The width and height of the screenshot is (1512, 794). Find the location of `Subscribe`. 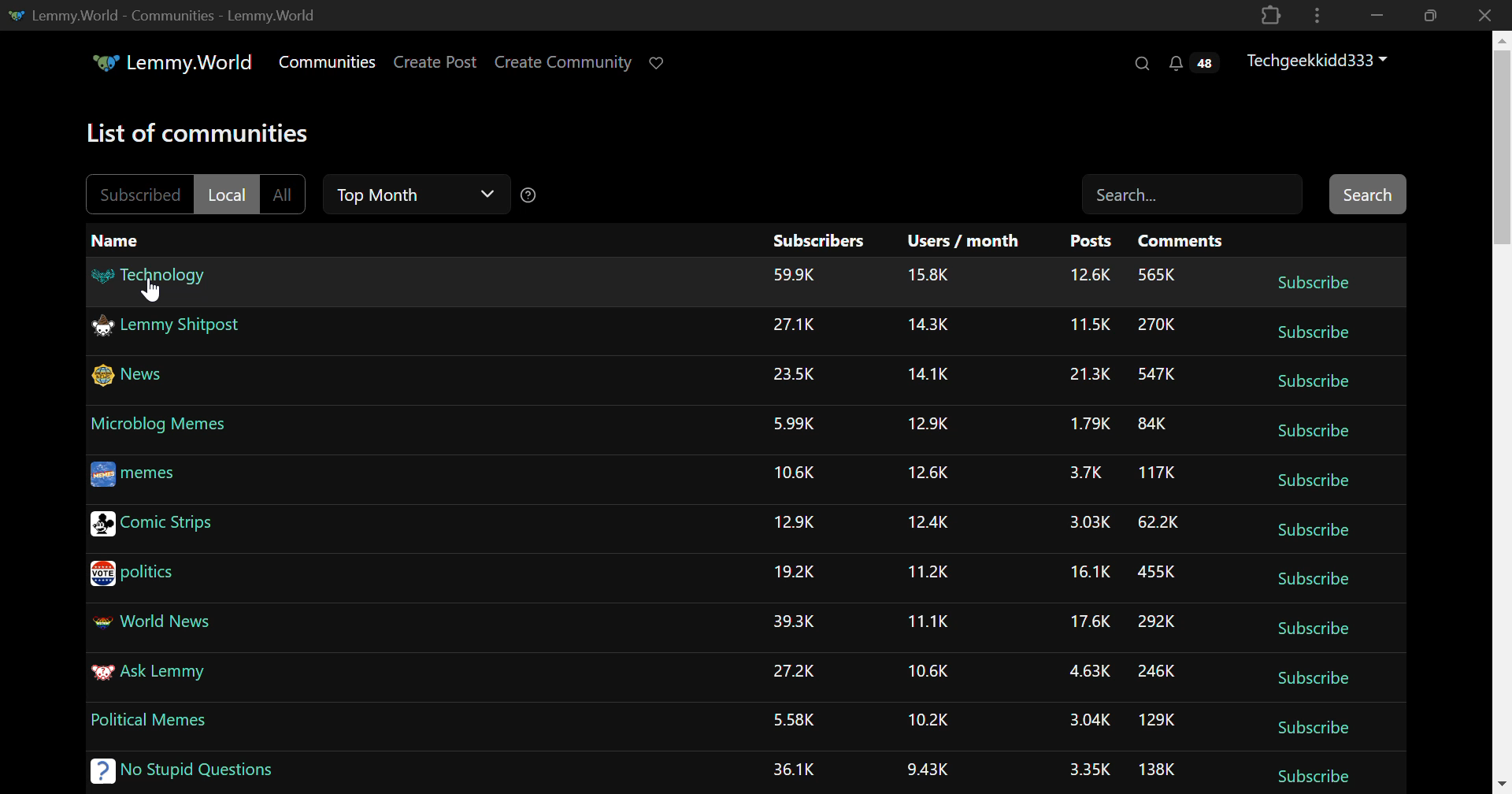

Subscribe is located at coordinates (1312, 285).